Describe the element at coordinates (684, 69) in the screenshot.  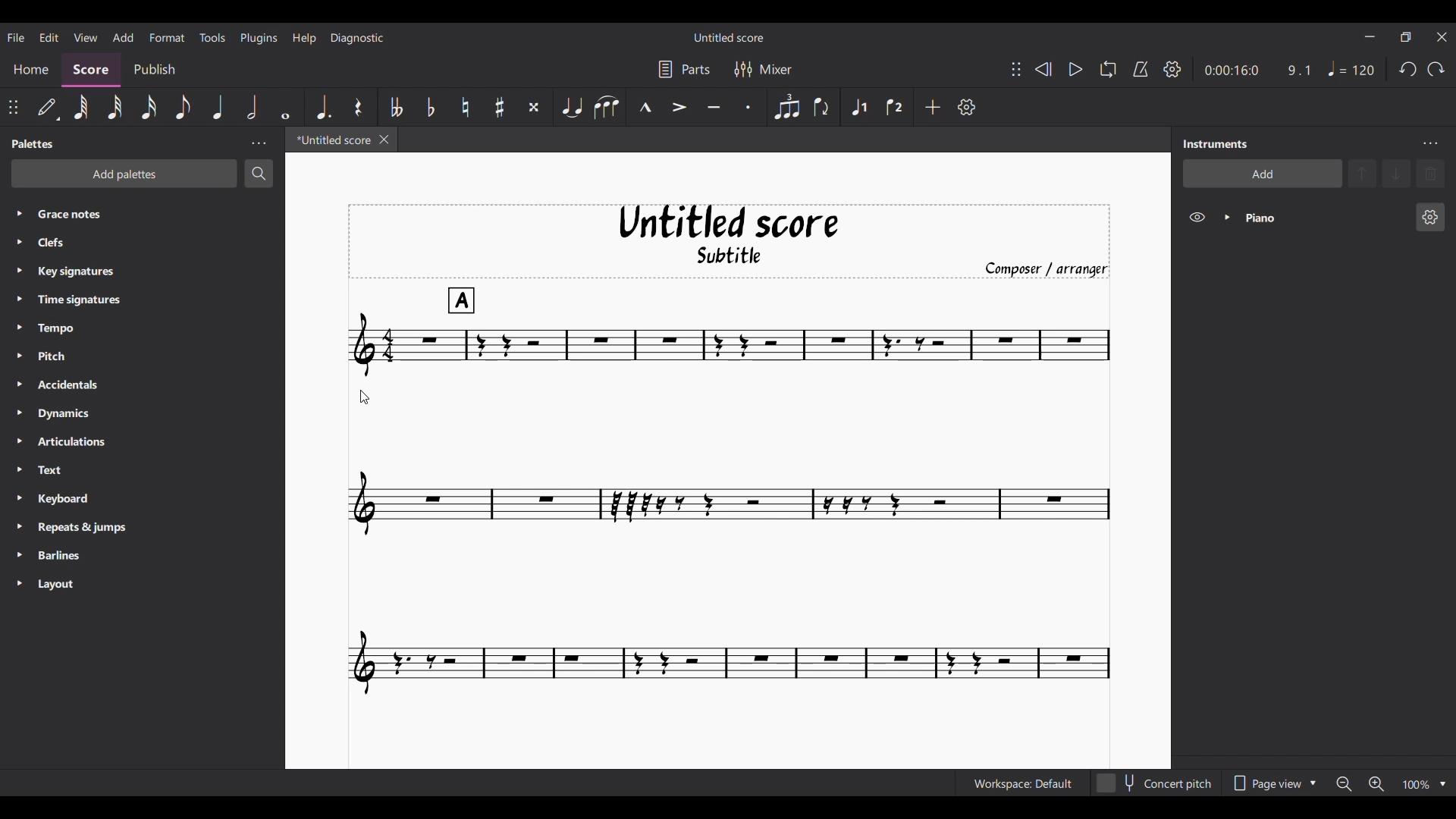
I see `Parts` at that location.